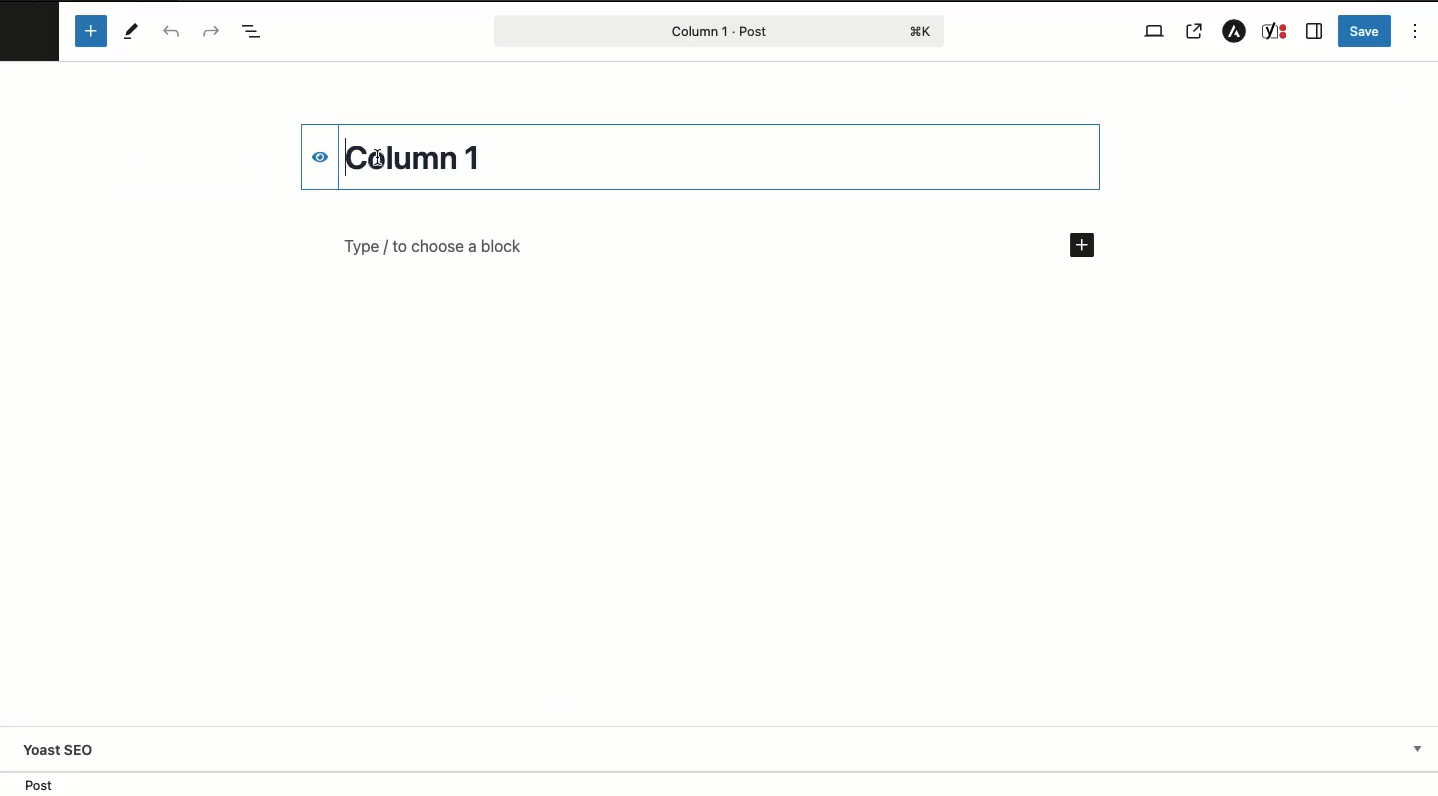 This screenshot has width=1438, height=796. I want to click on Post, so click(718, 30).